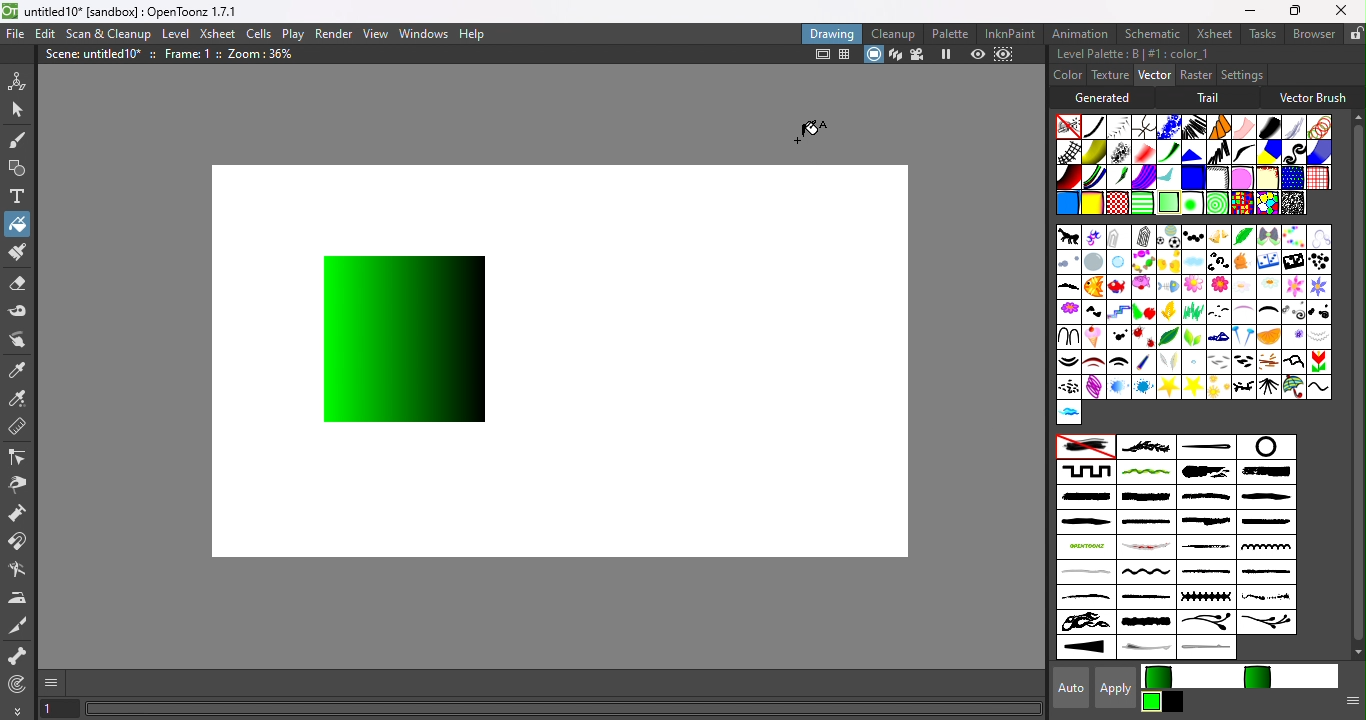 This screenshot has width=1366, height=720. Describe the element at coordinates (1194, 337) in the screenshot. I see `leaf2` at that location.